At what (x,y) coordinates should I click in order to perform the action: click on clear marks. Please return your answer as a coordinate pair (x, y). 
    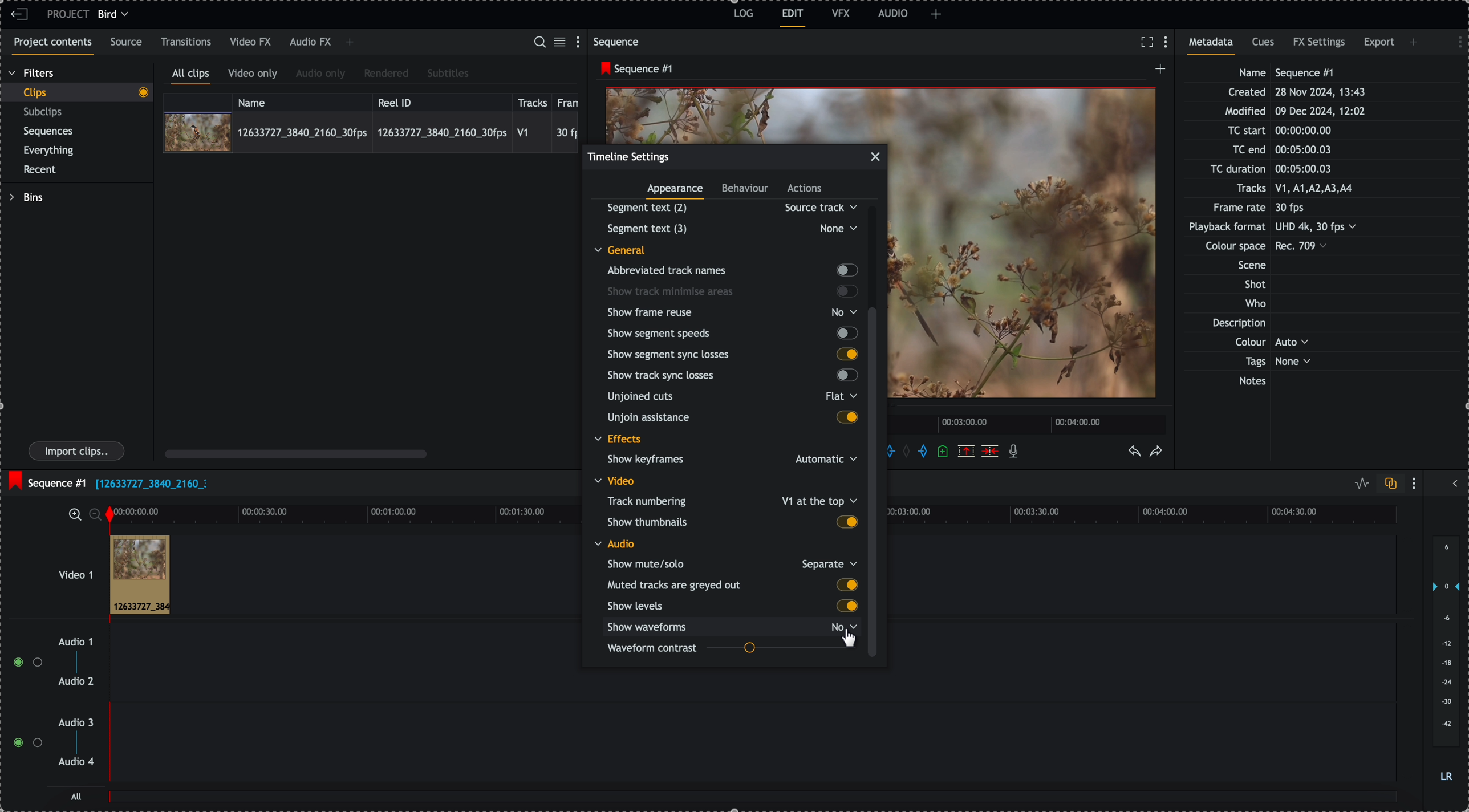
    Looking at the image, I should click on (910, 452).